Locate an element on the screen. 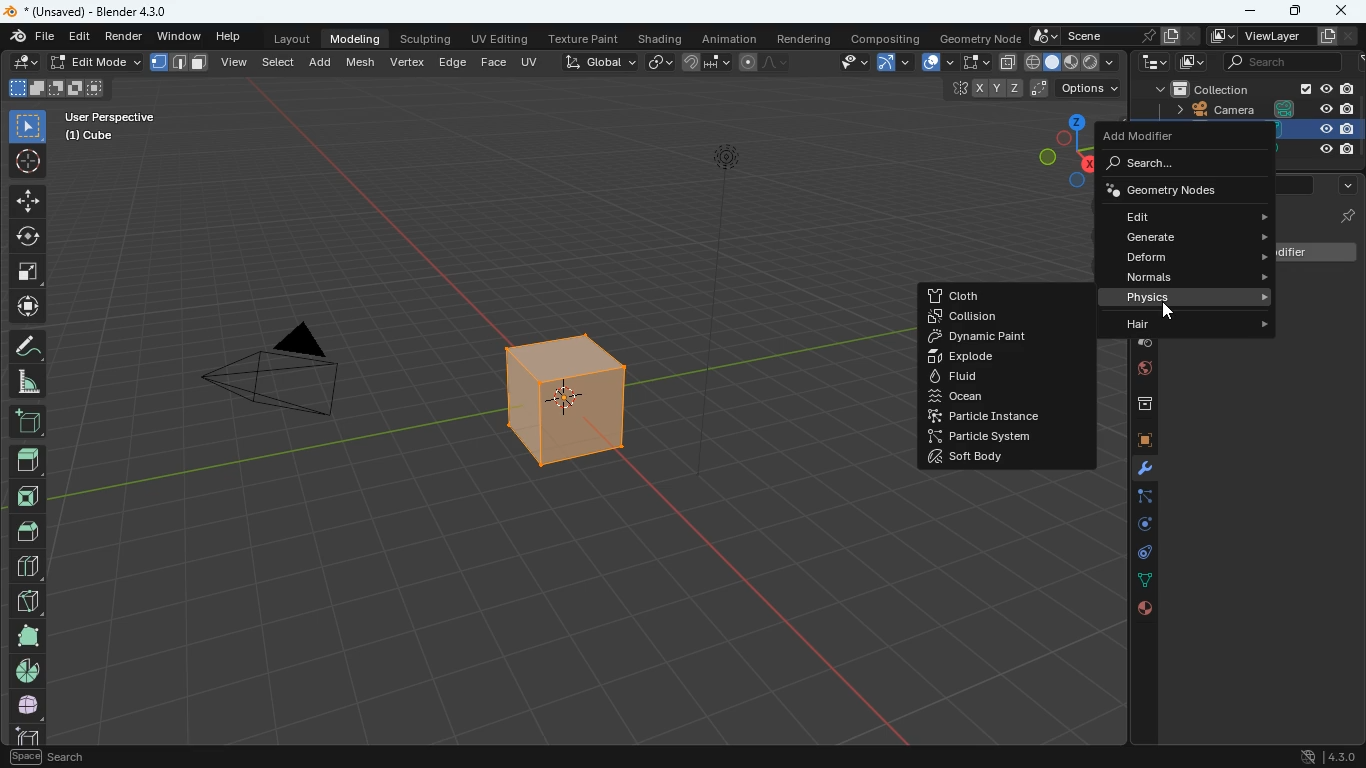 The width and height of the screenshot is (1366, 768). add modifier is located at coordinates (1155, 138).